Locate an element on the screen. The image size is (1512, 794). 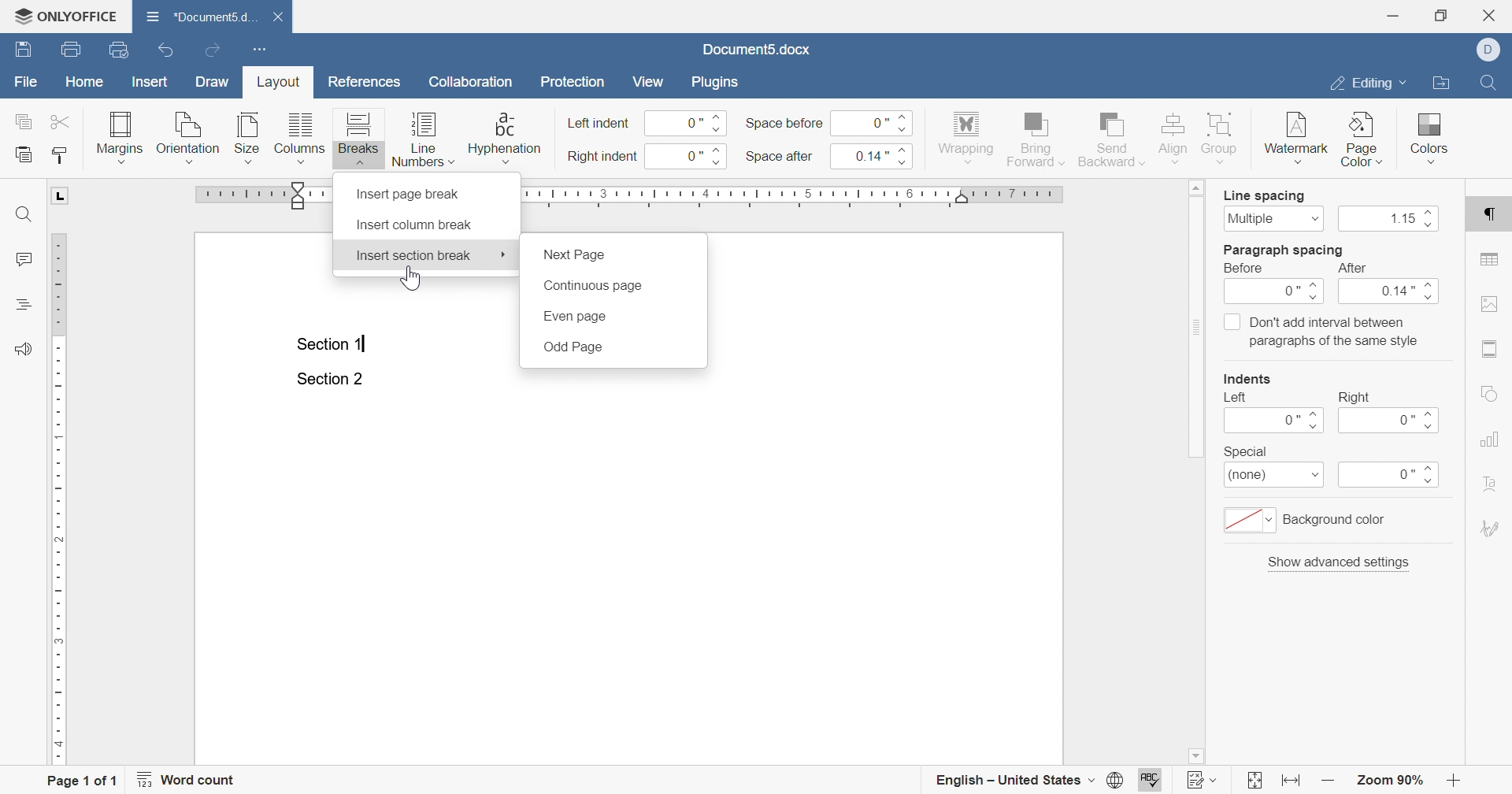
continuous page is located at coordinates (591, 287).